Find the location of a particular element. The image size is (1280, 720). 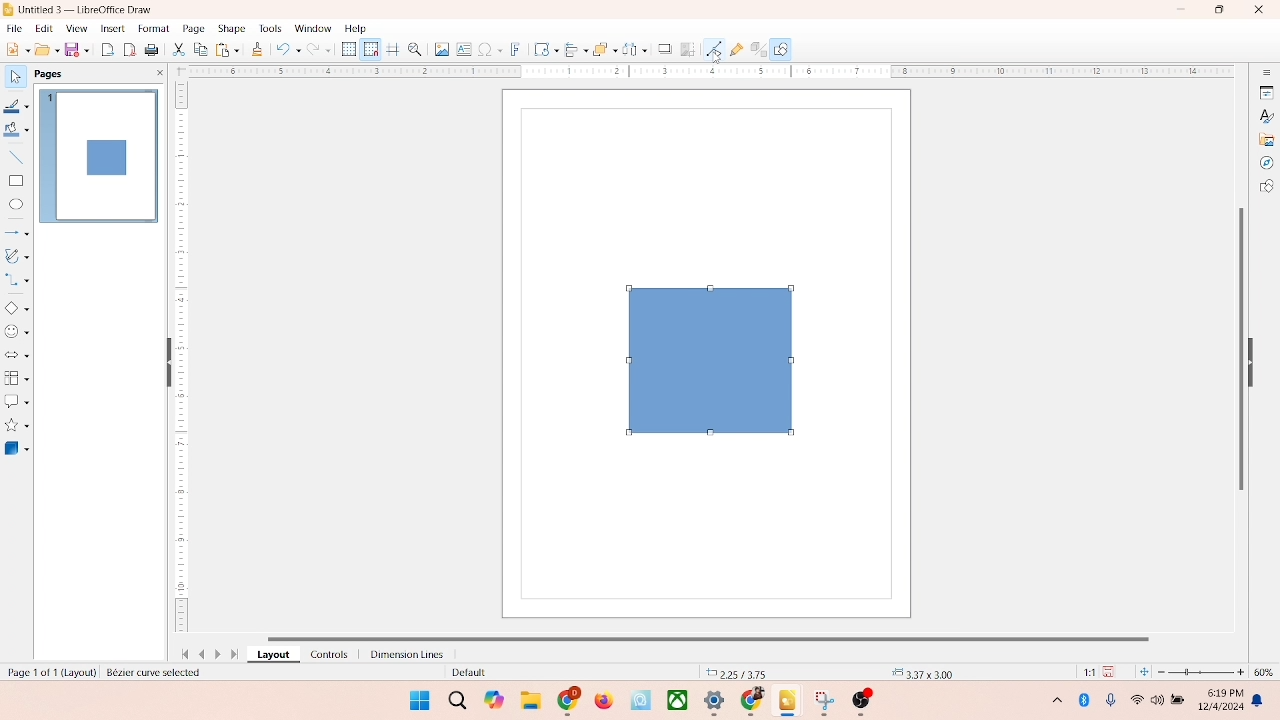

applications is located at coordinates (721, 702).